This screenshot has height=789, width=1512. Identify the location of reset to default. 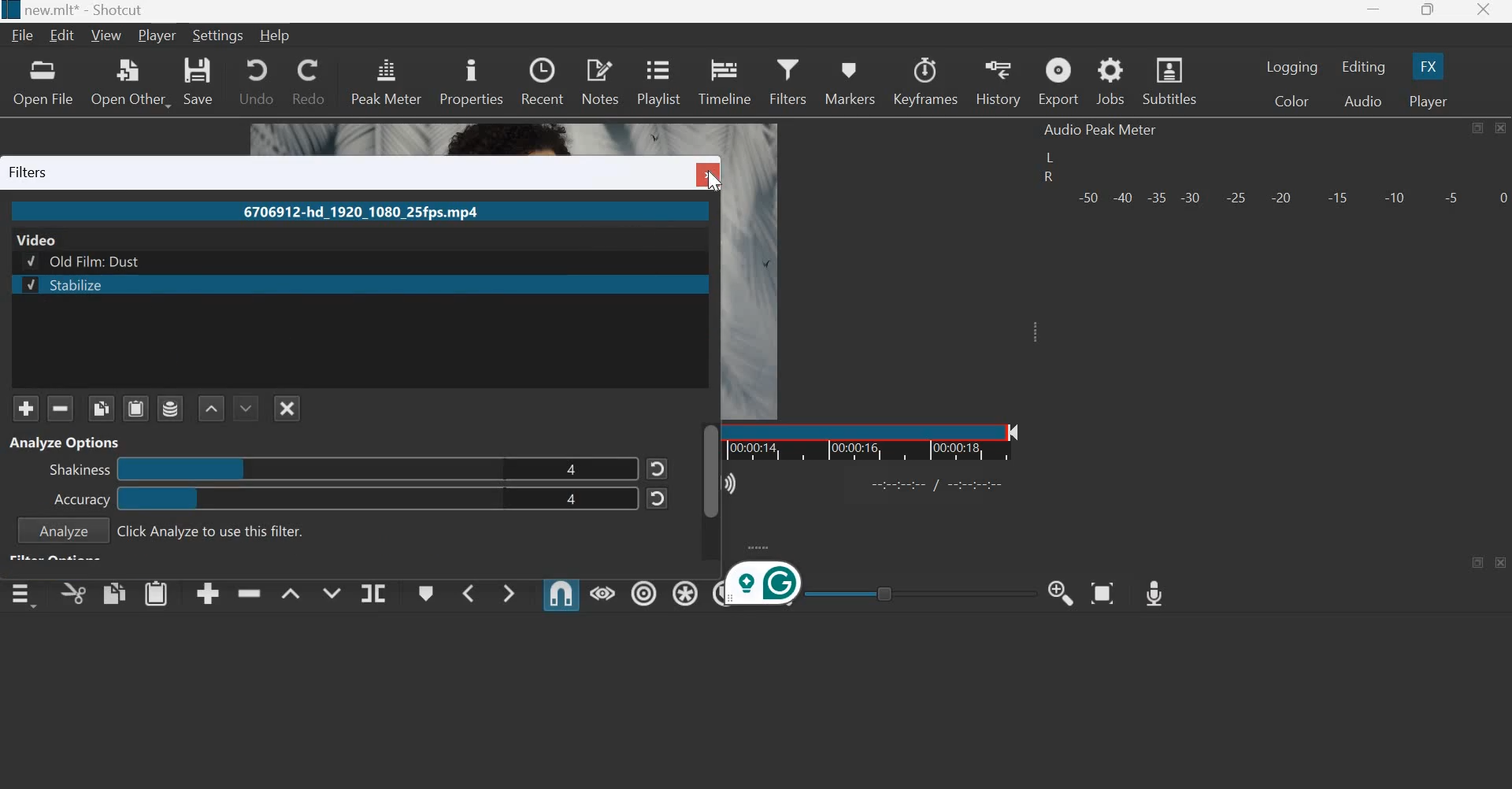
(658, 498).